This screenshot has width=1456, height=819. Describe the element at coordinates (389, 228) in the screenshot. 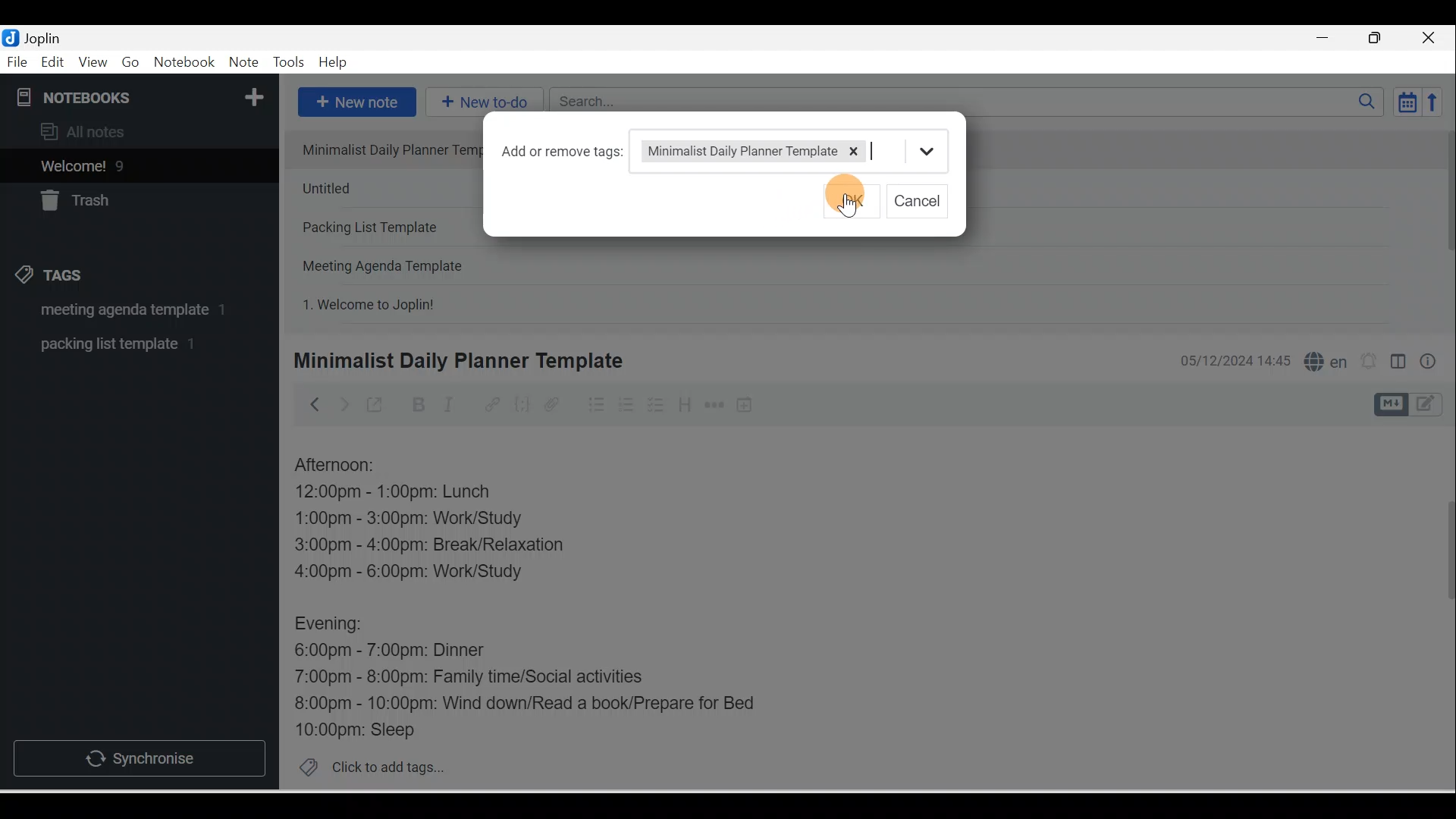

I see `Note 3` at that location.